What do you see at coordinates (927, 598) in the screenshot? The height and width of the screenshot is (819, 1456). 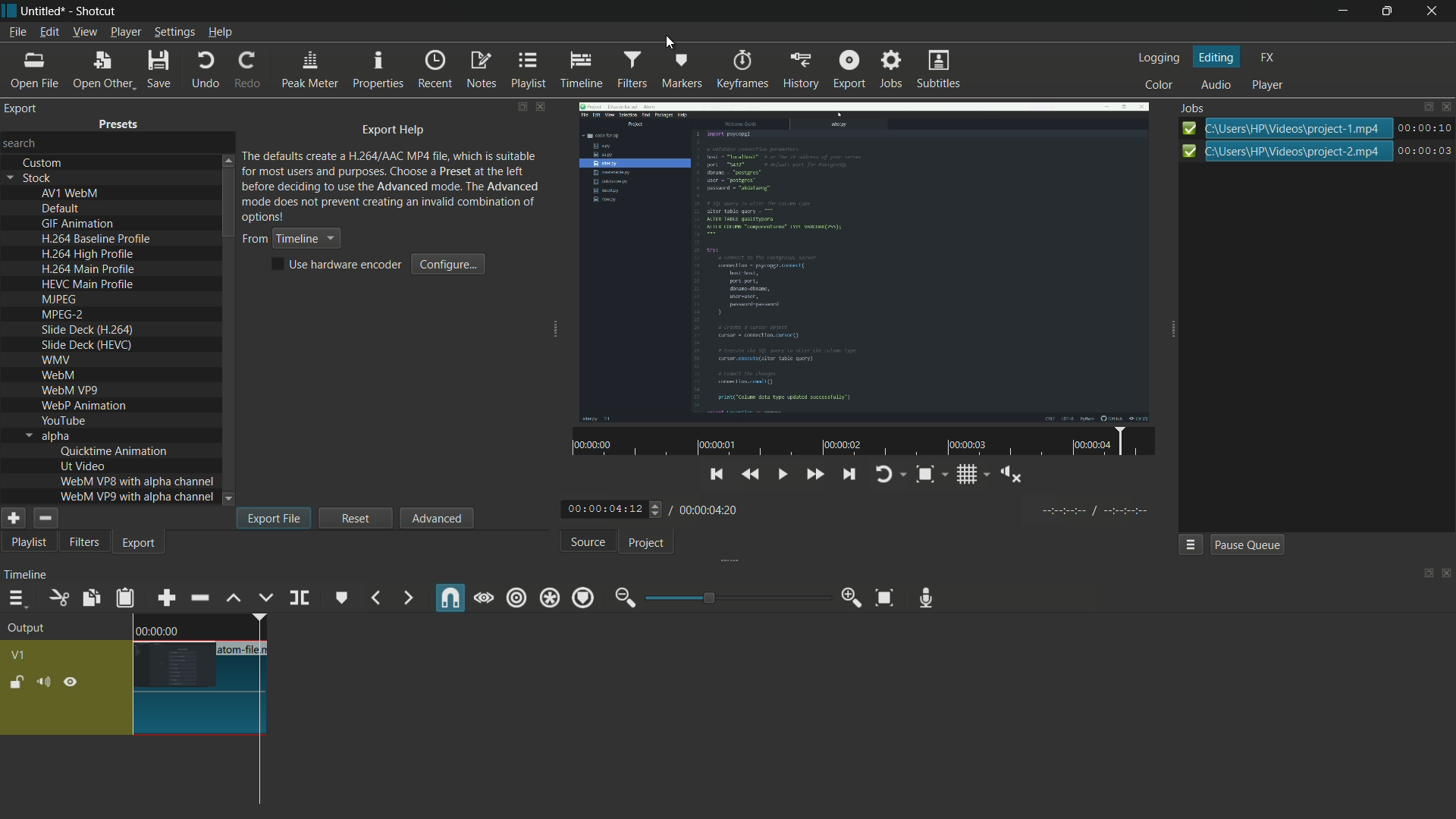 I see `record audio` at bounding box center [927, 598].